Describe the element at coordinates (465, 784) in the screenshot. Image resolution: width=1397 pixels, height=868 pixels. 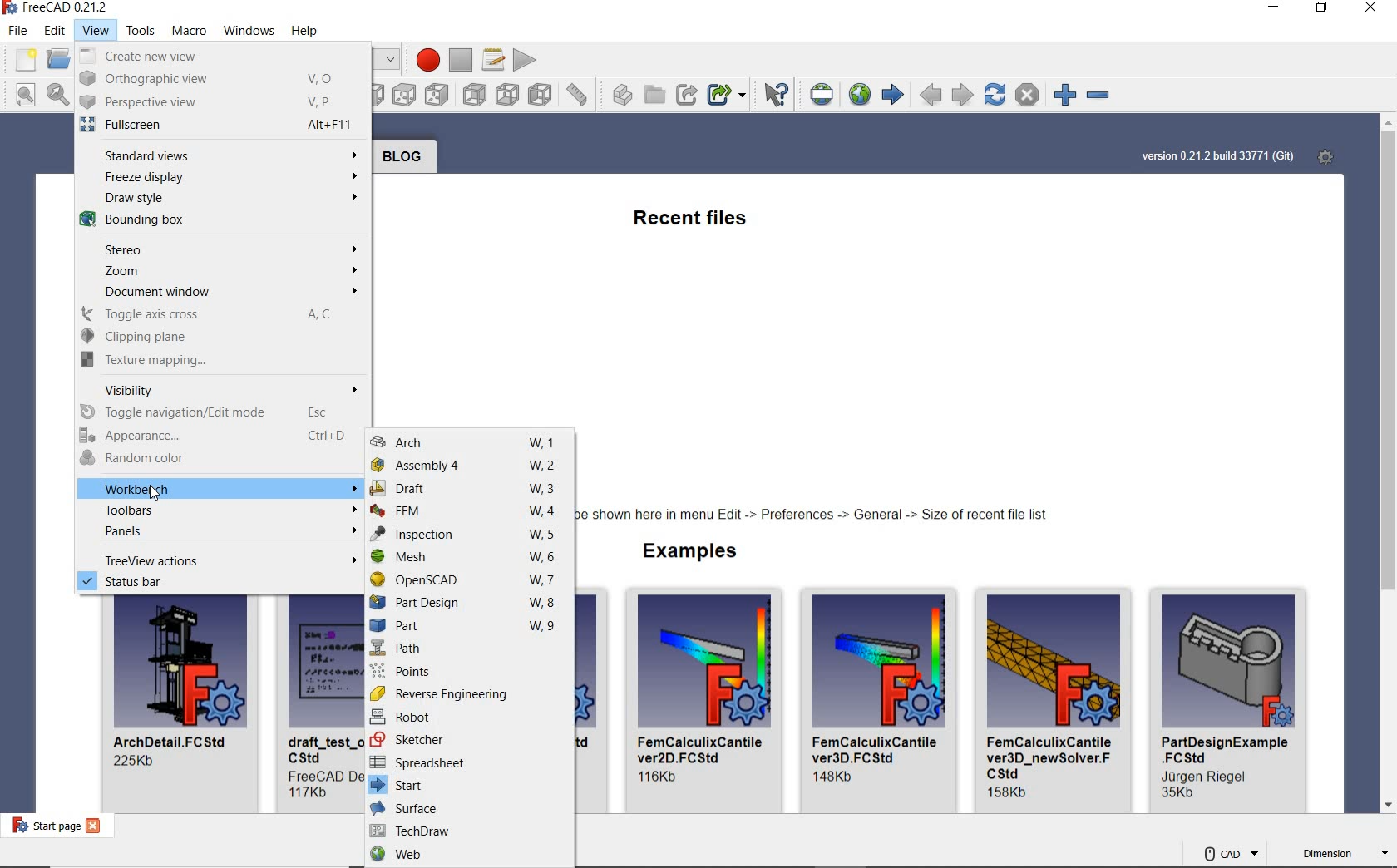
I see `start` at that location.